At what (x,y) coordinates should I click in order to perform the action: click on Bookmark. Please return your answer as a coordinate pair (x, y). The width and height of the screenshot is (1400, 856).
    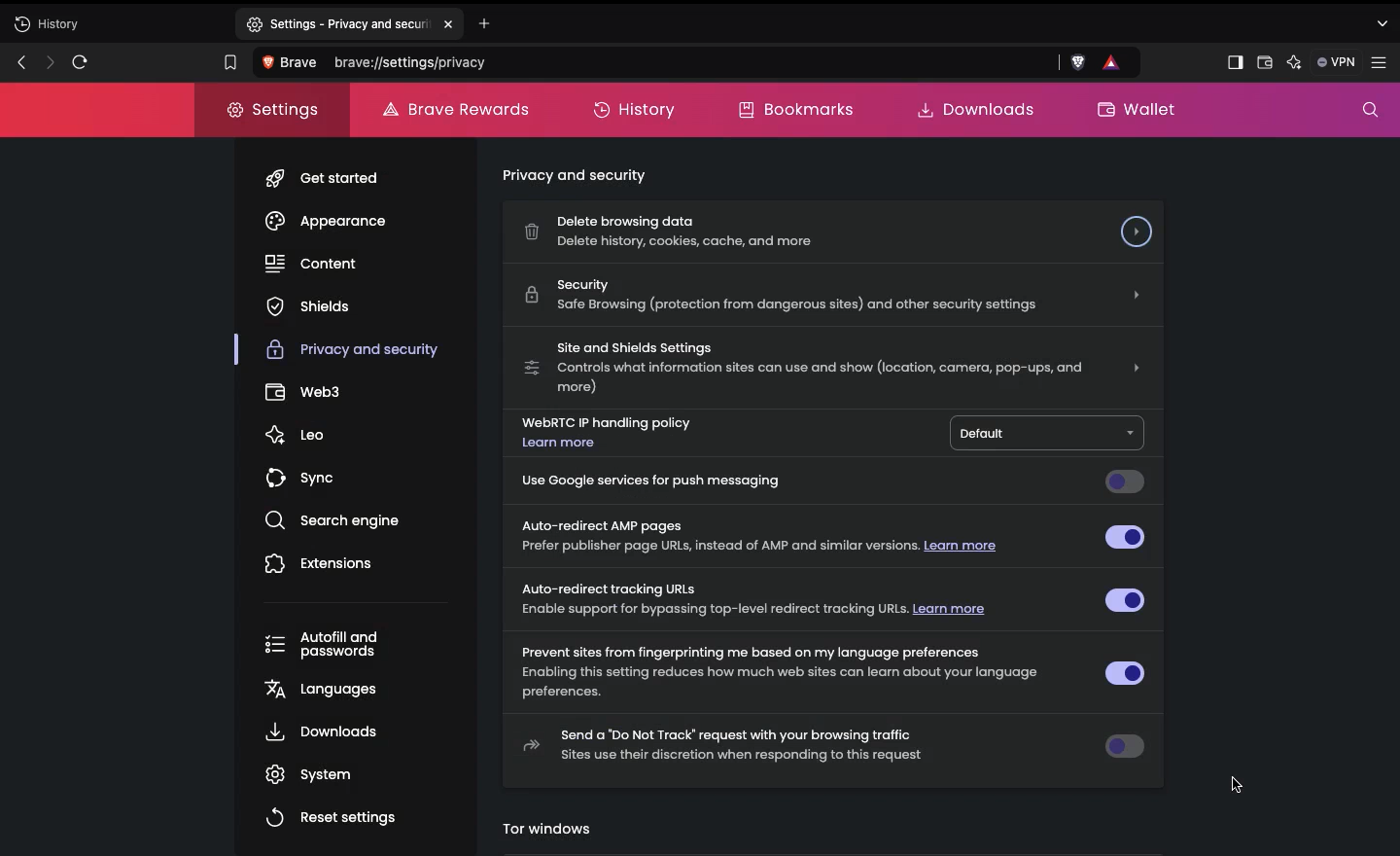
    Looking at the image, I should click on (226, 60).